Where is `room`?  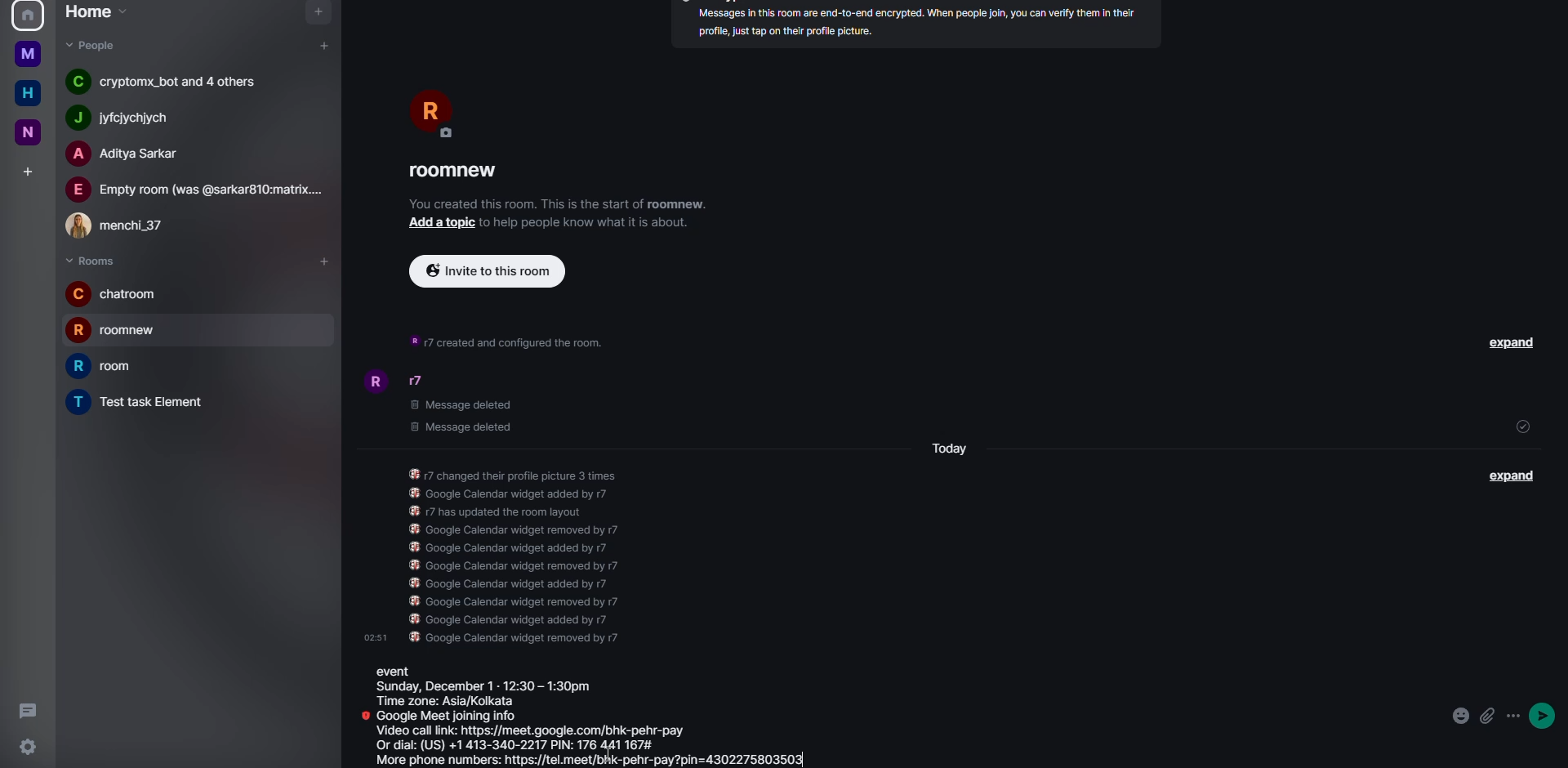 room is located at coordinates (109, 368).